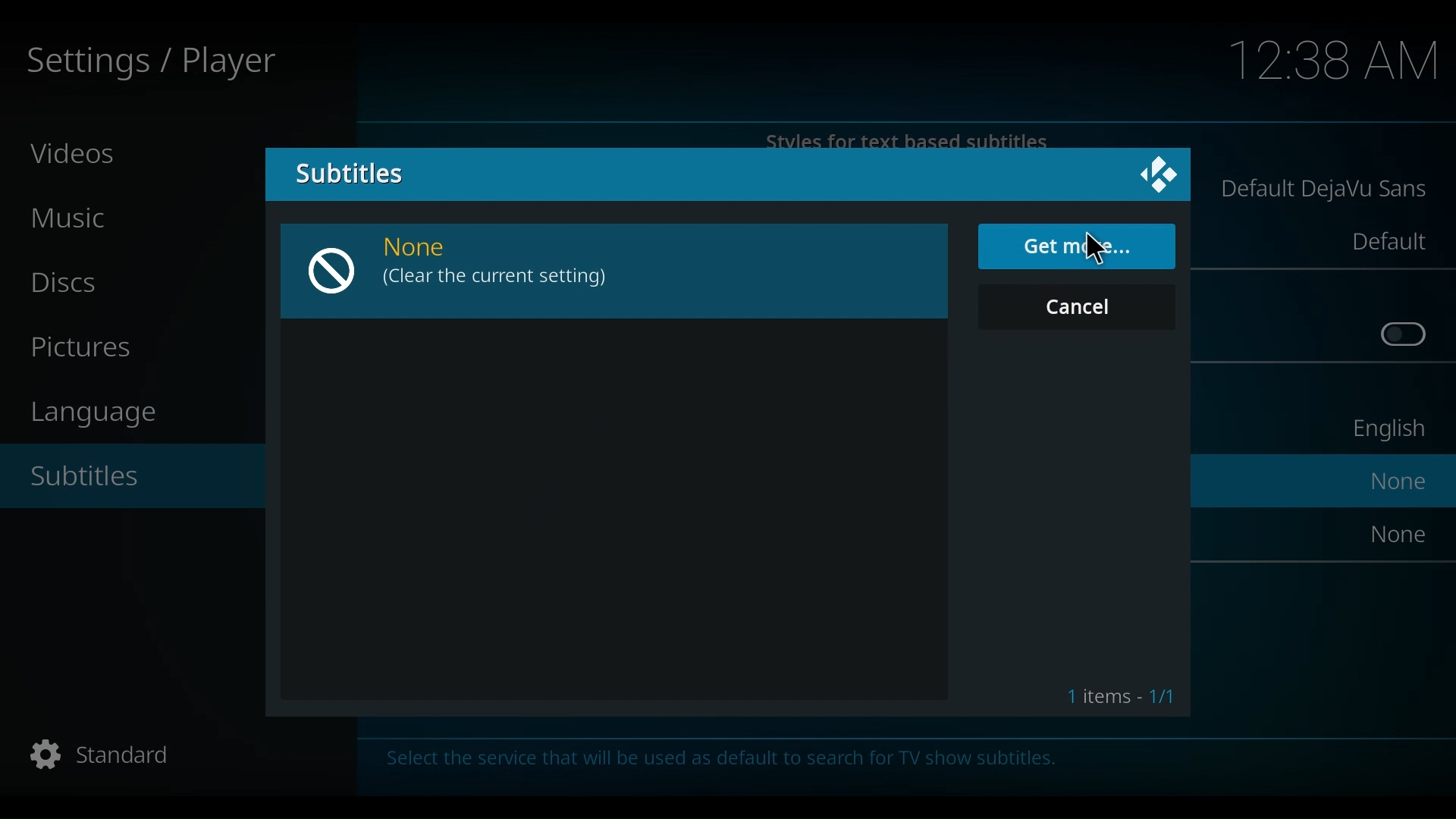 Image resolution: width=1456 pixels, height=819 pixels. Describe the element at coordinates (1116, 693) in the screenshot. I see `items` at that location.